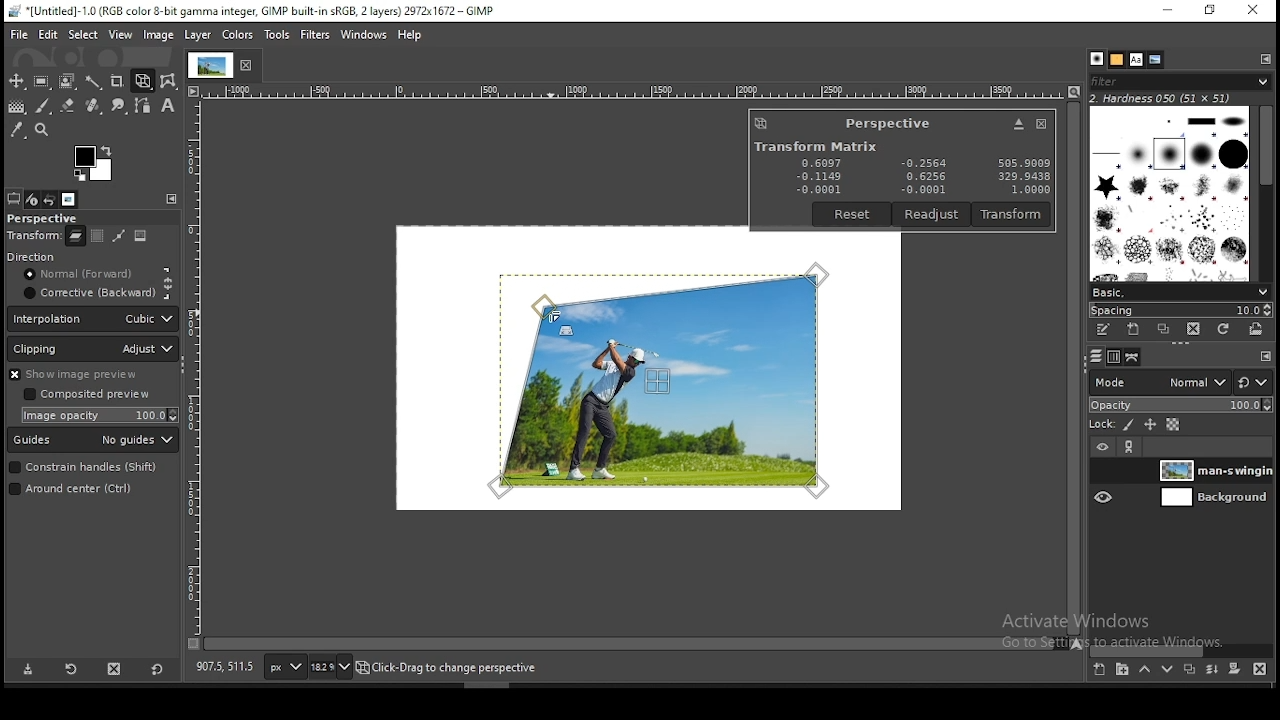 Image resolution: width=1280 pixels, height=720 pixels. Describe the element at coordinates (94, 349) in the screenshot. I see `clipping` at that location.